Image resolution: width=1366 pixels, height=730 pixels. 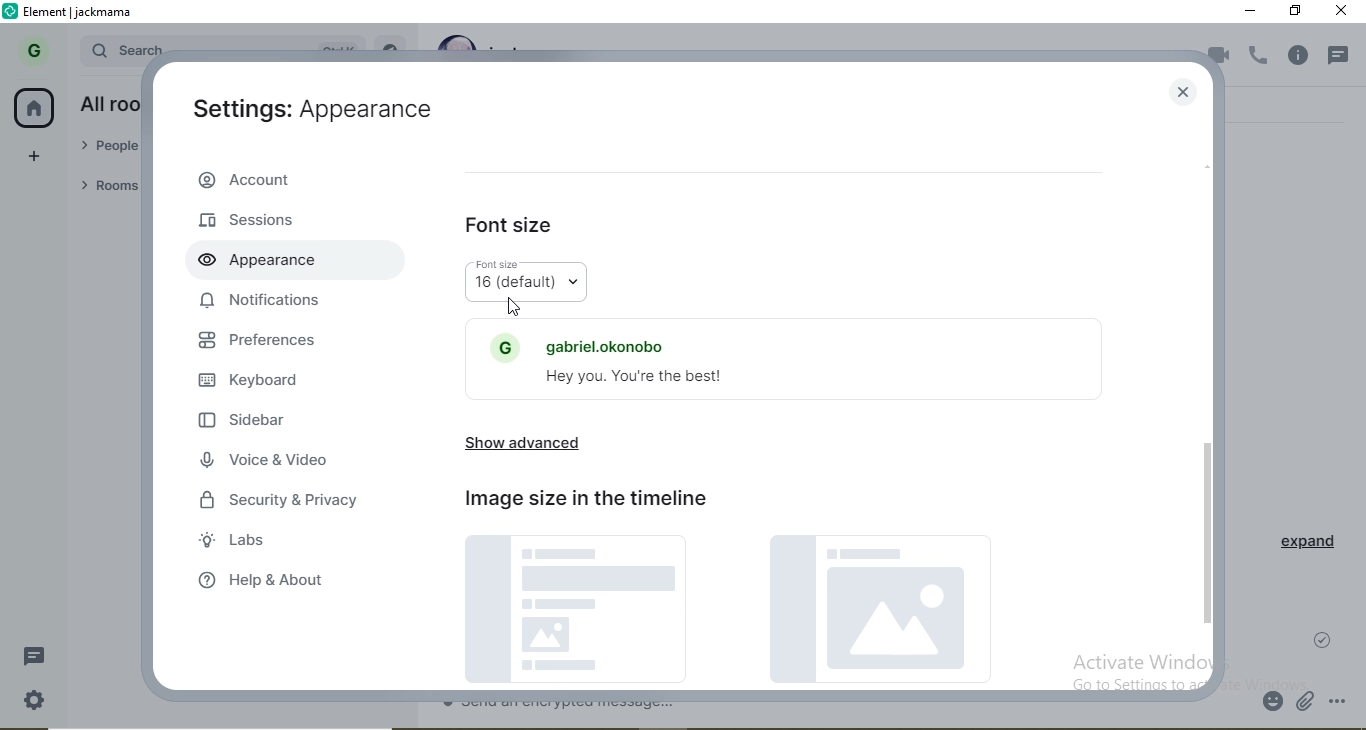 I want to click on scroll bar, so click(x=1208, y=395).